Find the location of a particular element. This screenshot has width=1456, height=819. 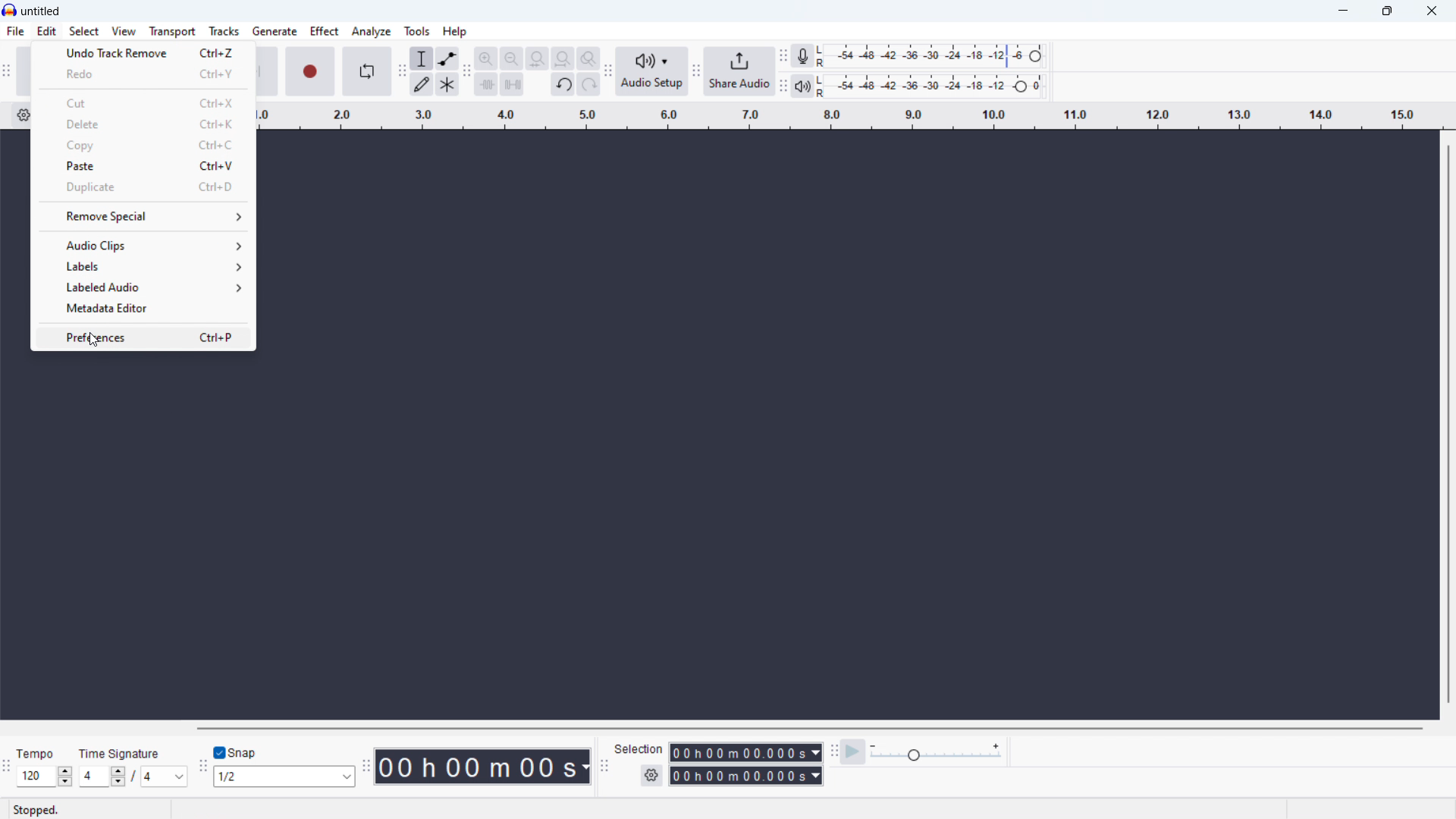

fit selection to width is located at coordinates (537, 59).